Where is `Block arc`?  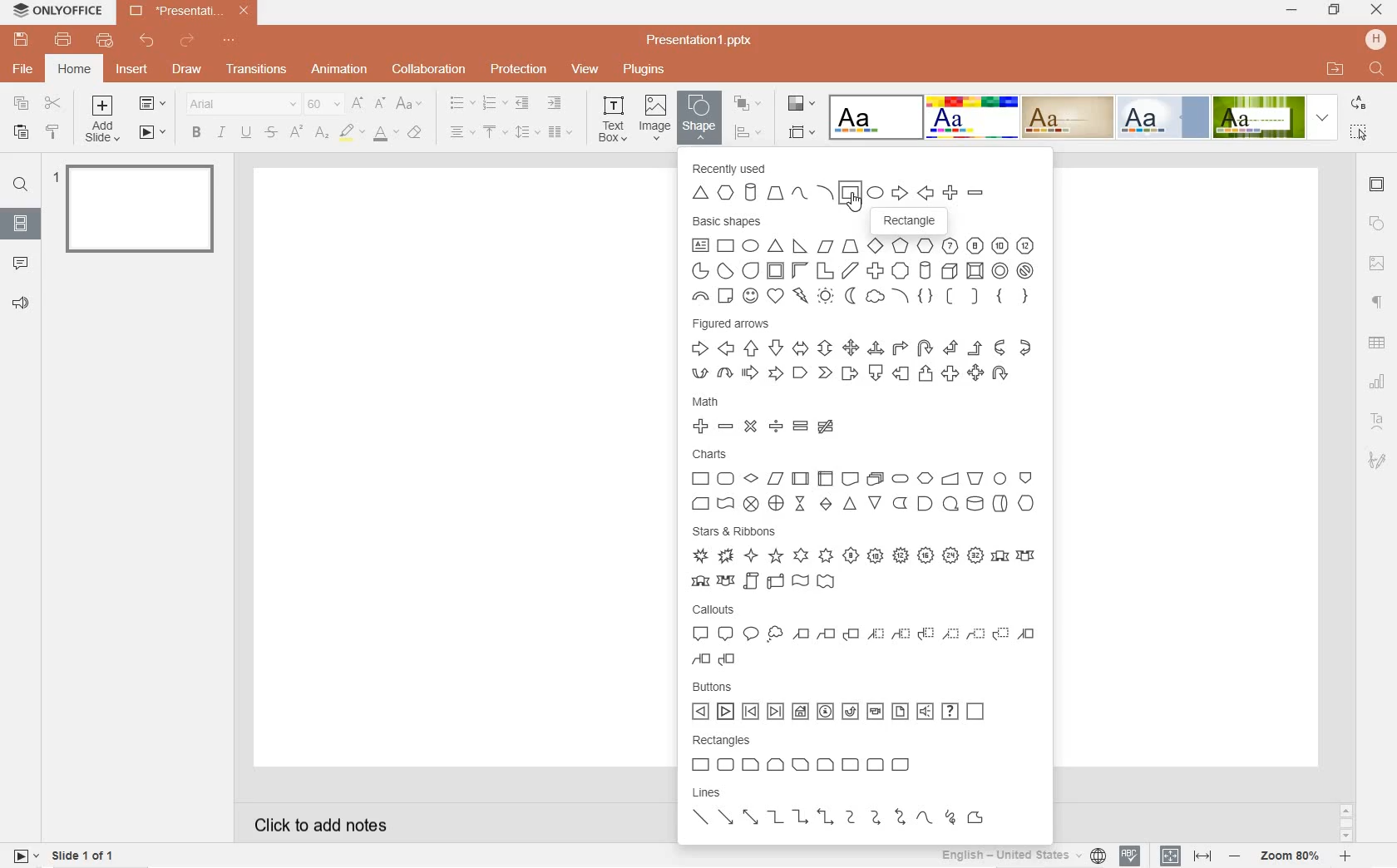
Block arc is located at coordinates (701, 297).